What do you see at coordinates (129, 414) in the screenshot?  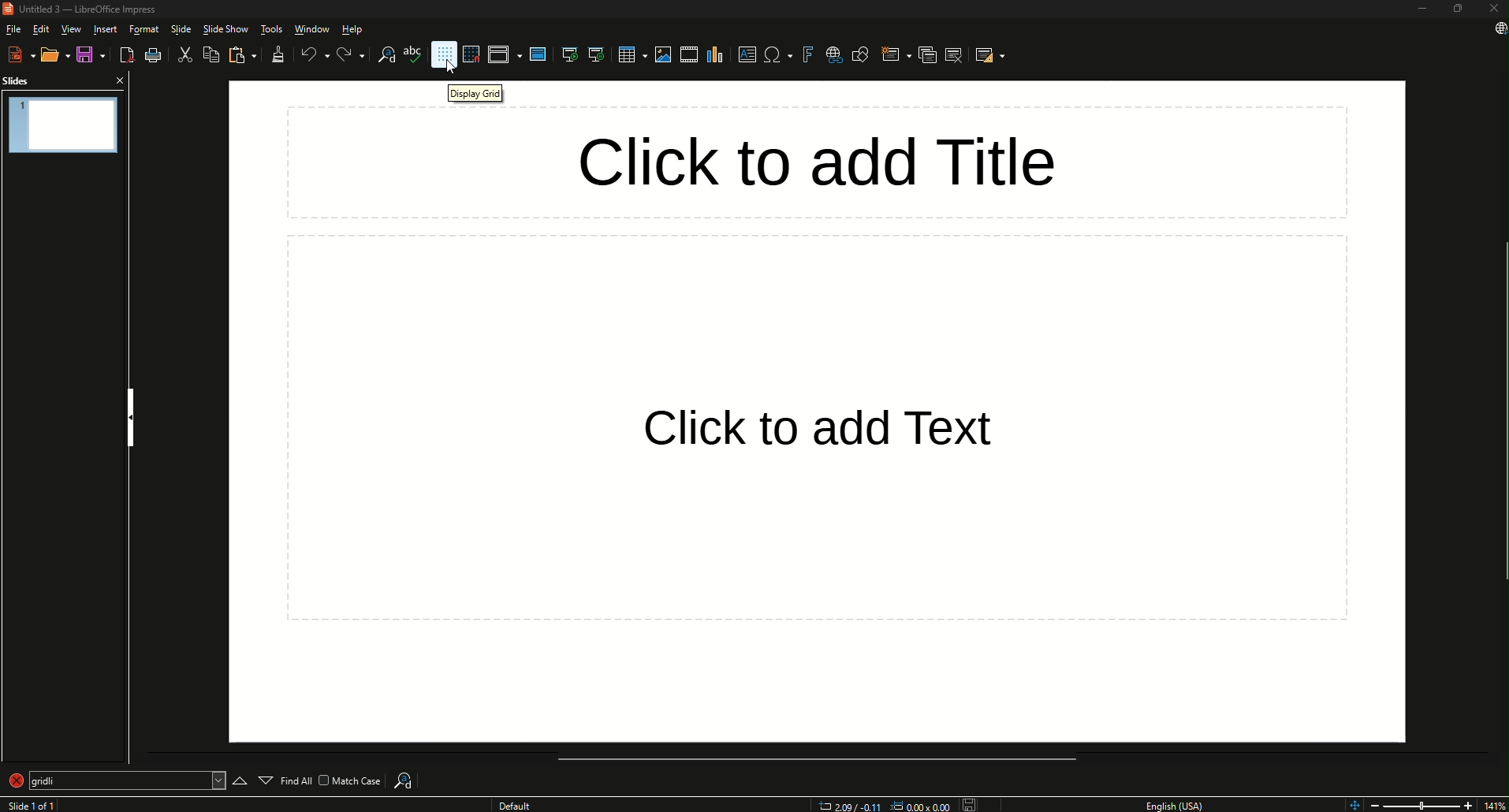 I see `Hide` at bounding box center [129, 414].